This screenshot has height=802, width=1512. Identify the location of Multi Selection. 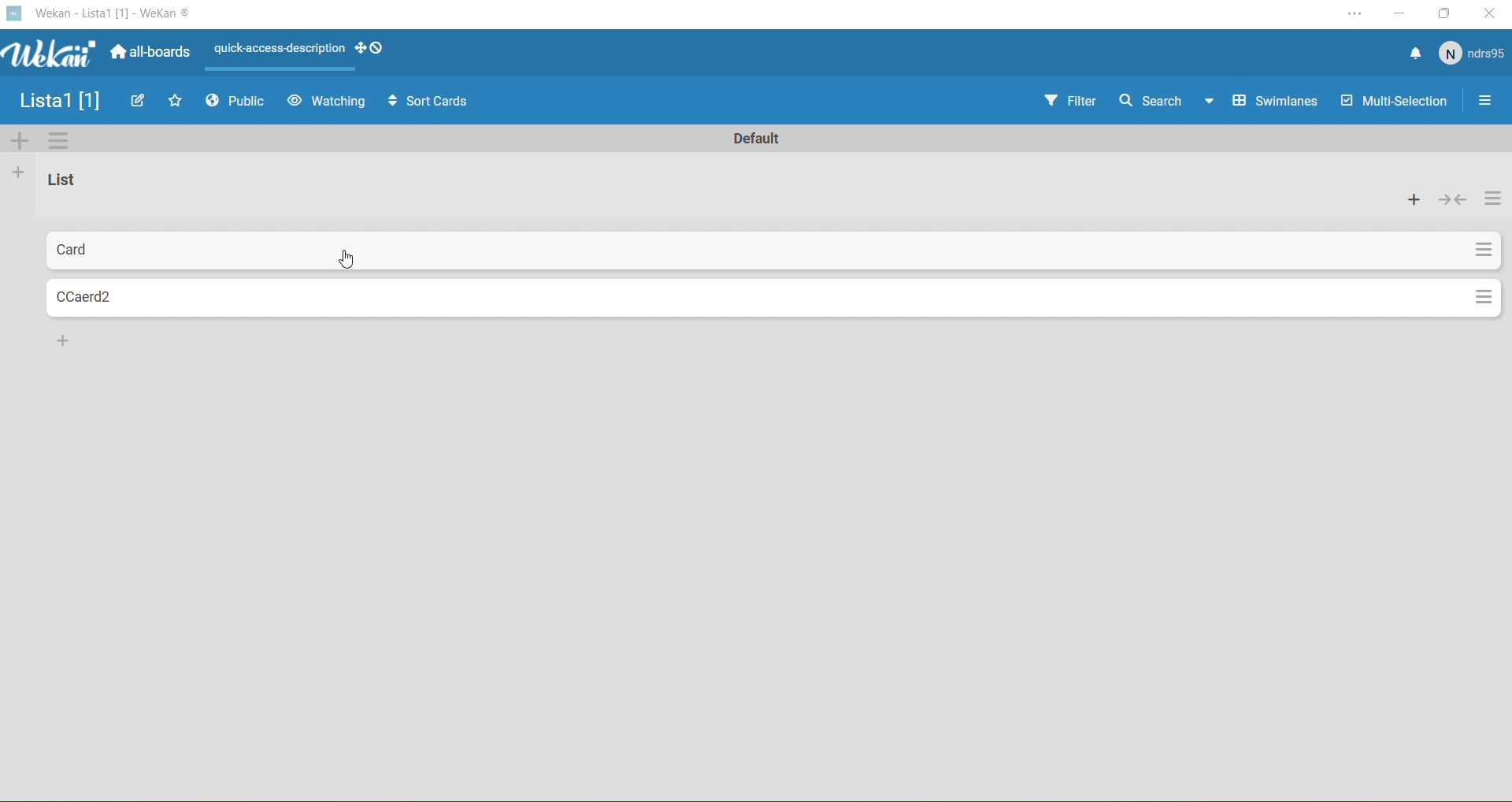
(1392, 102).